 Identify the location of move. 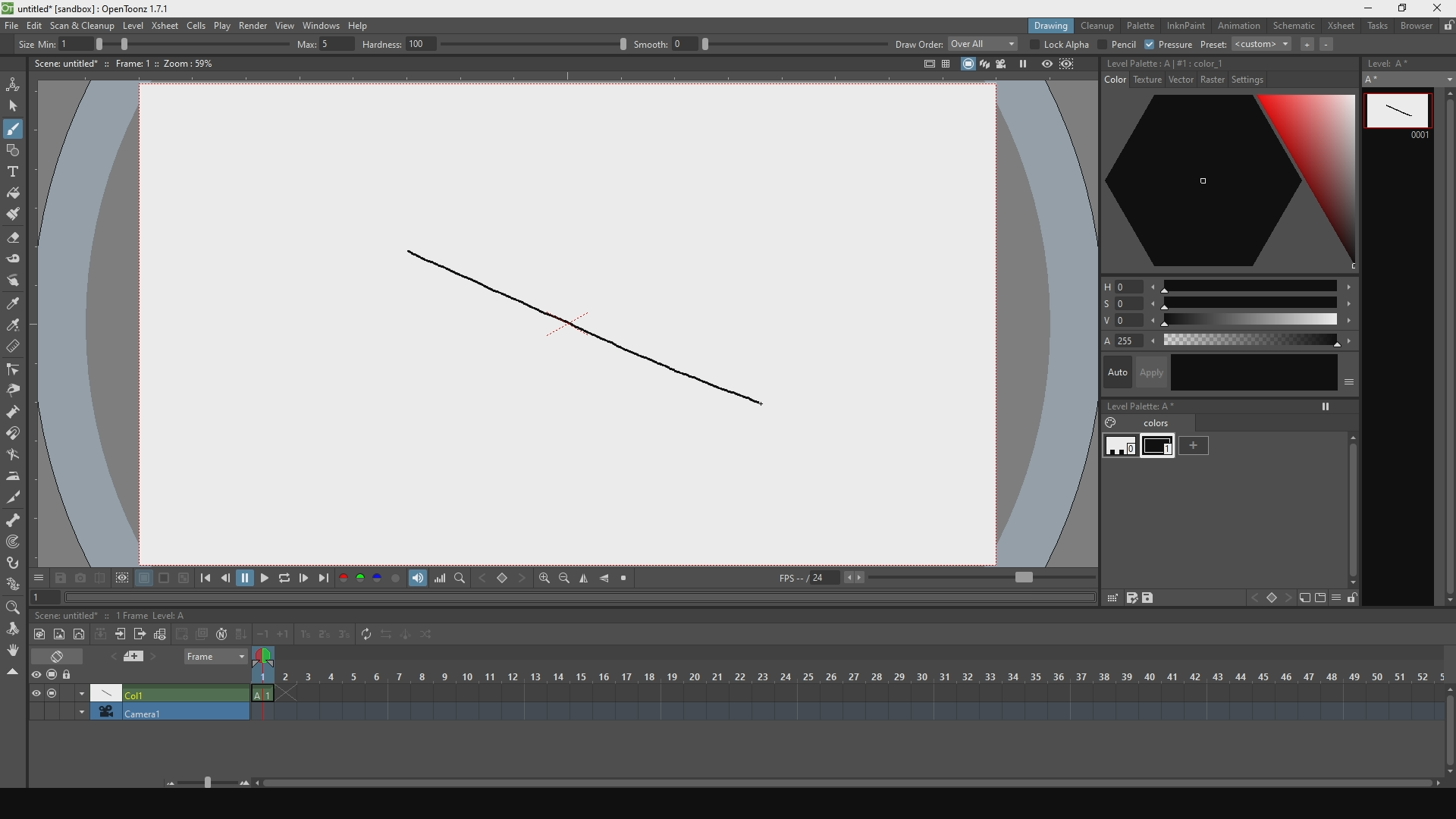
(17, 282).